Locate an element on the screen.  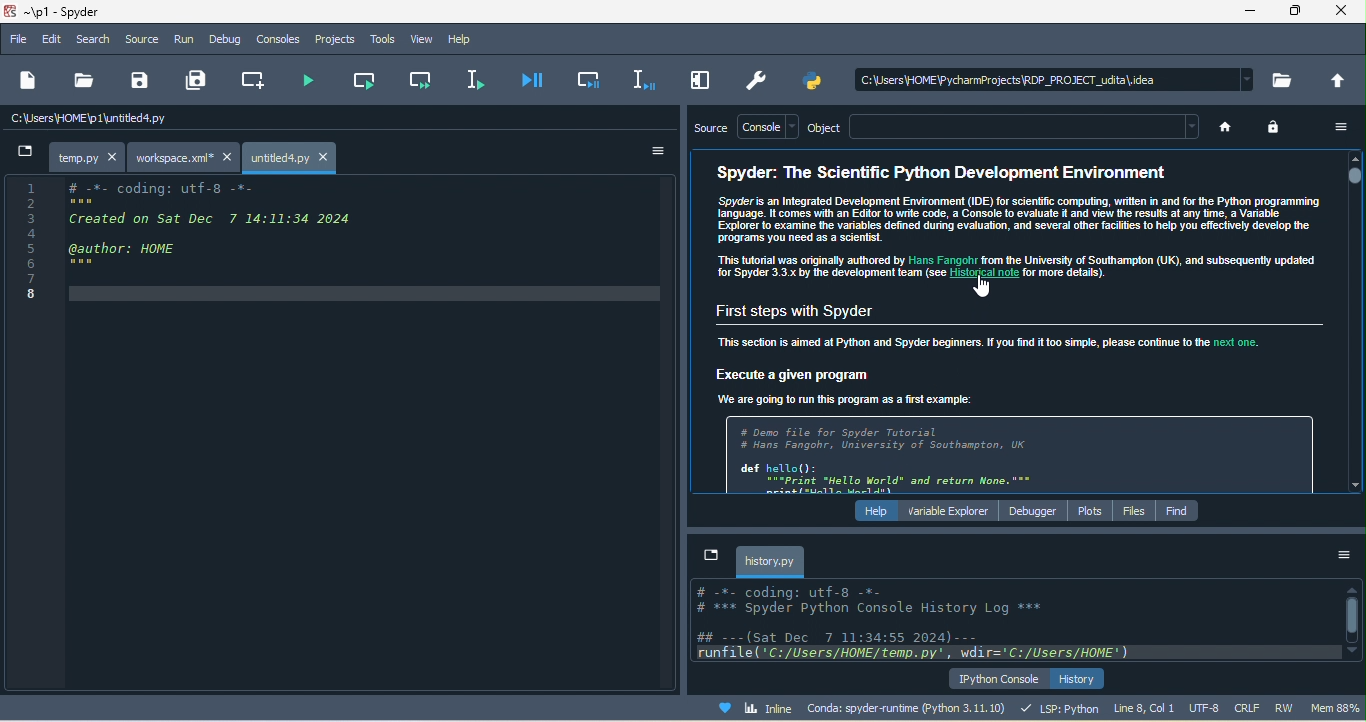
lsp python is located at coordinates (1064, 710).